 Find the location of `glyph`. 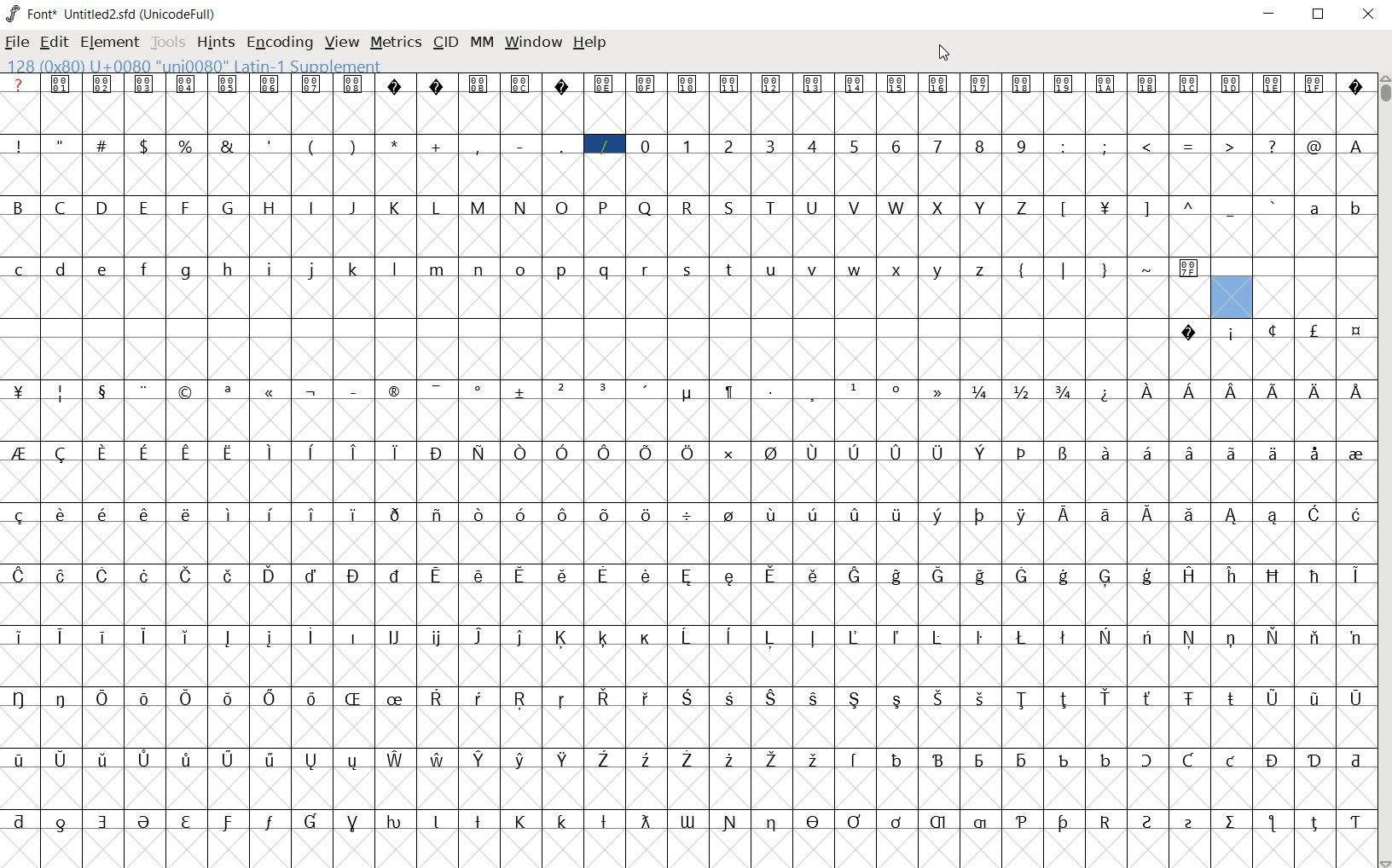

glyph is located at coordinates (352, 146).